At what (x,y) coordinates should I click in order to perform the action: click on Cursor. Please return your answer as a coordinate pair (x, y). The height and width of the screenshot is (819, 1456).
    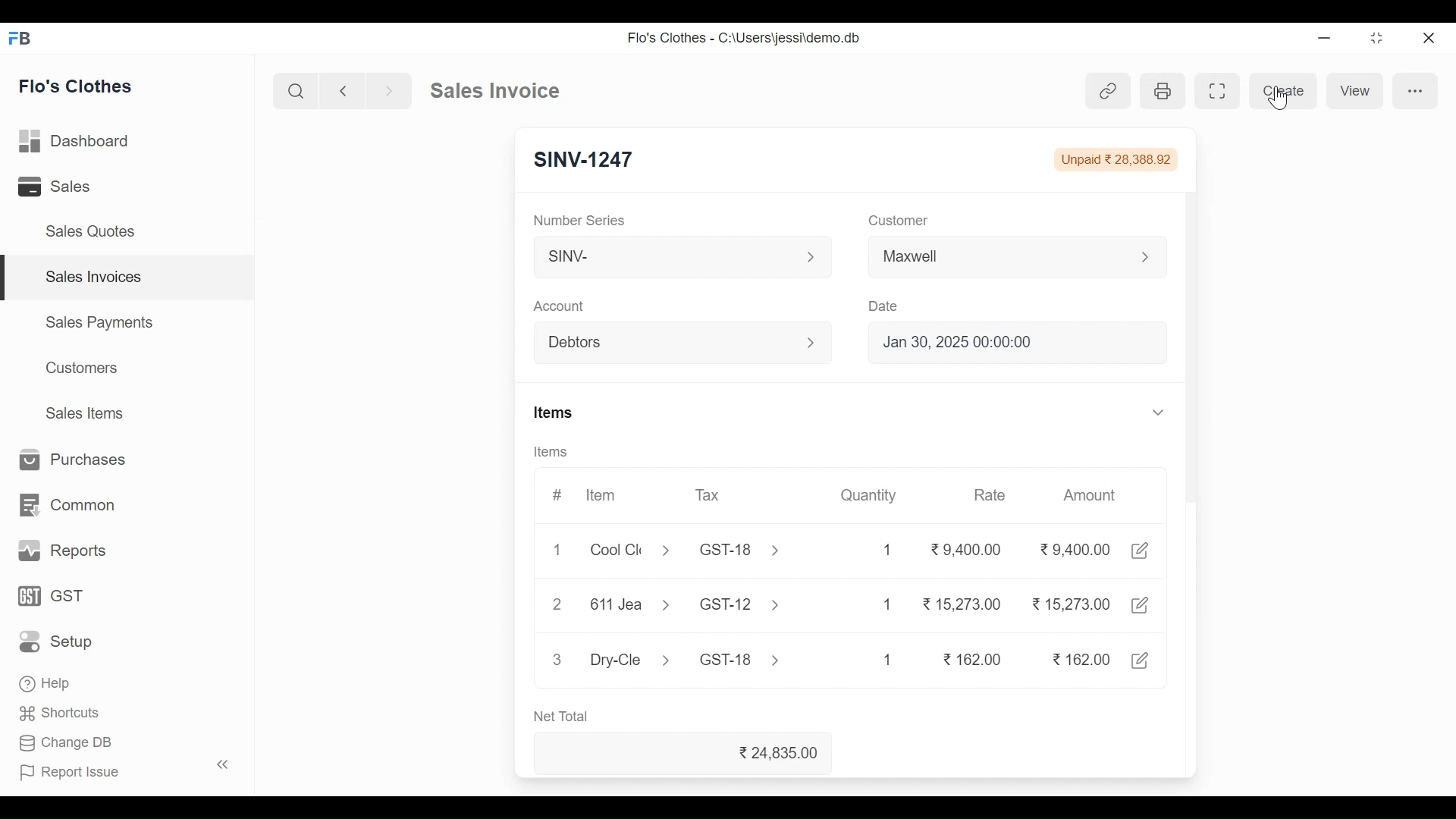
    Looking at the image, I should click on (1283, 99).